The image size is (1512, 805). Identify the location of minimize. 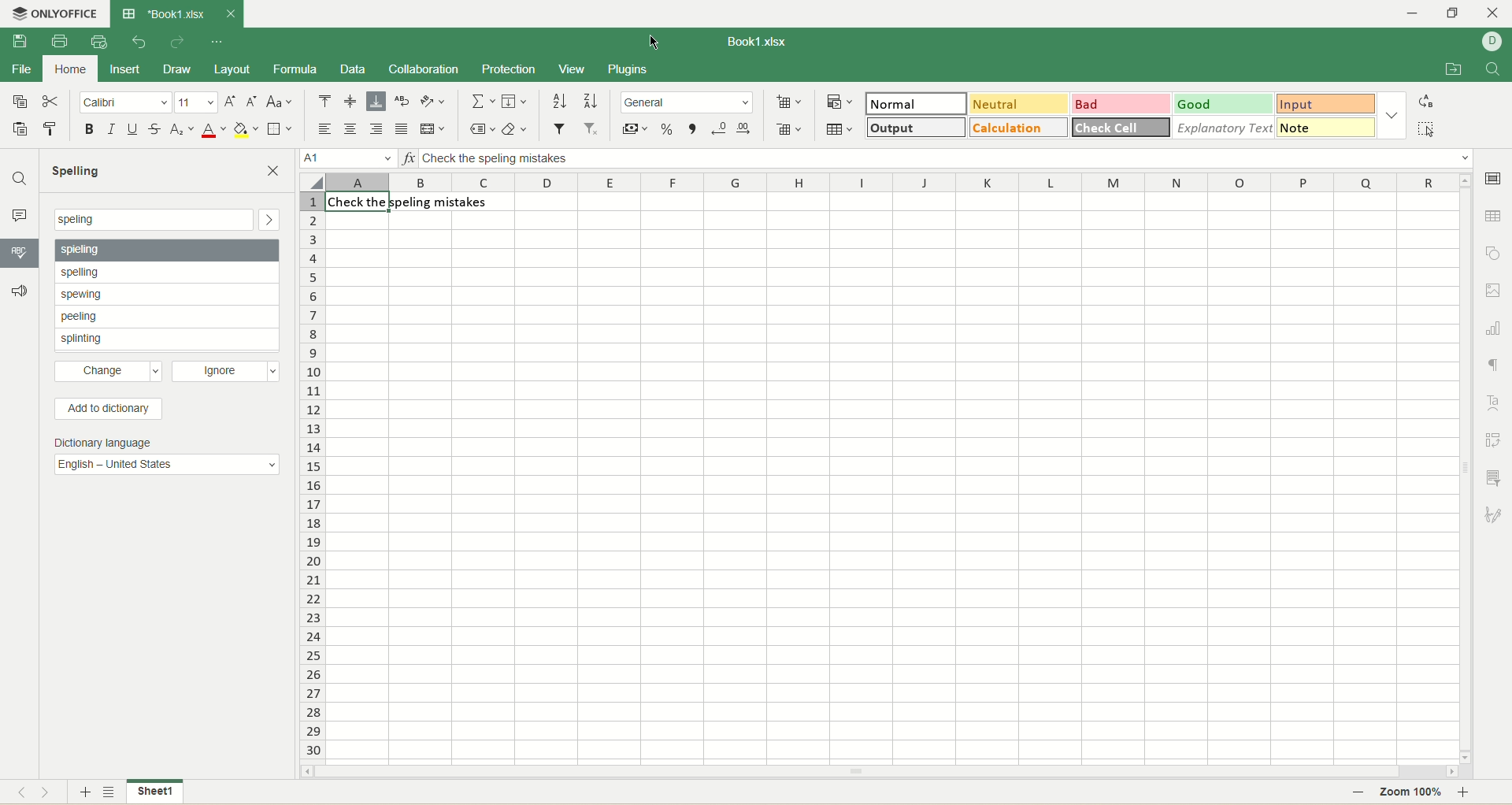
(1417, 13).